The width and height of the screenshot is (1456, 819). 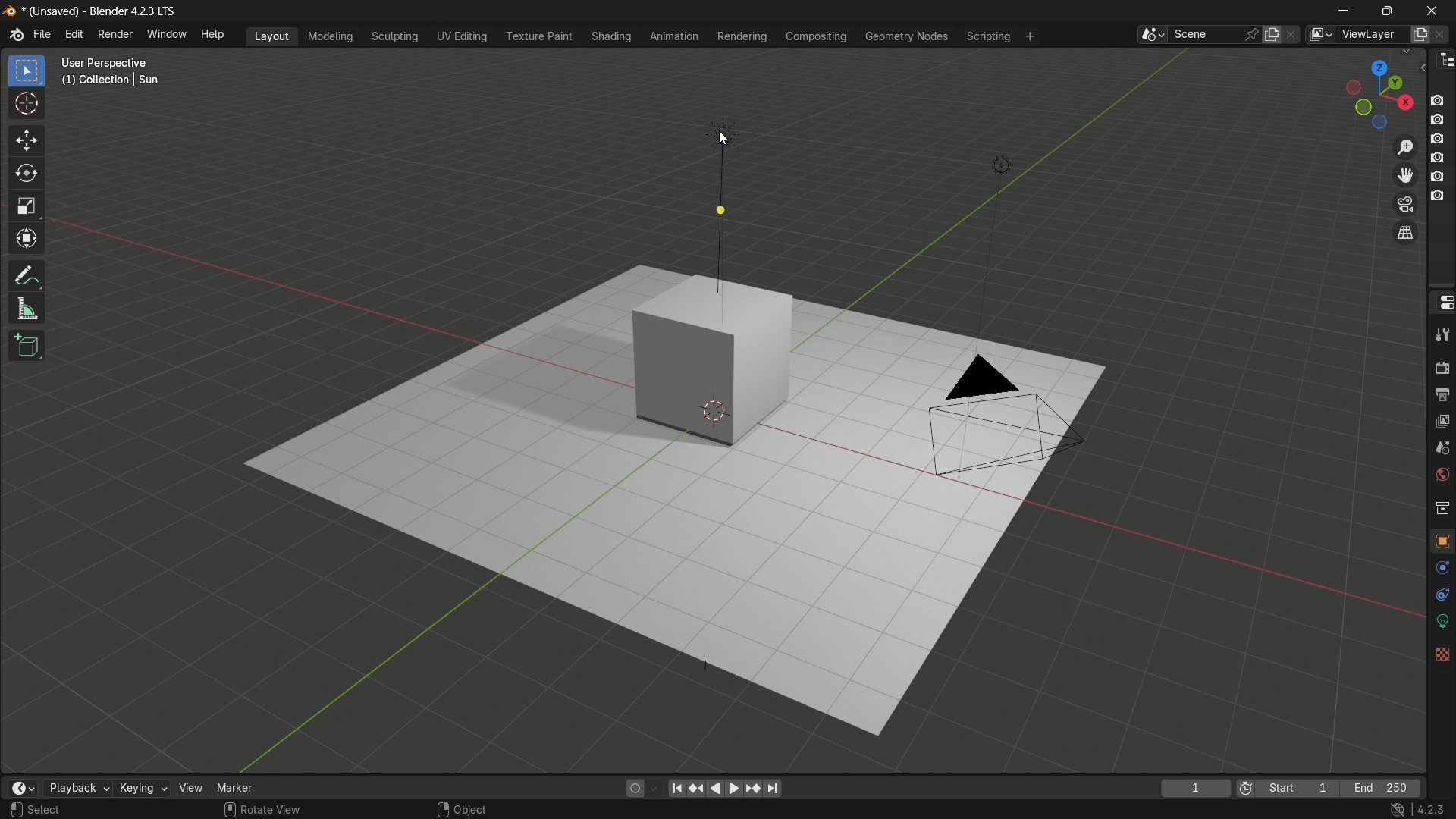 What do you see at coordinates (773, 790) in the screenshot?
I see `jump to endpoint` at bounding box center [773, 790].